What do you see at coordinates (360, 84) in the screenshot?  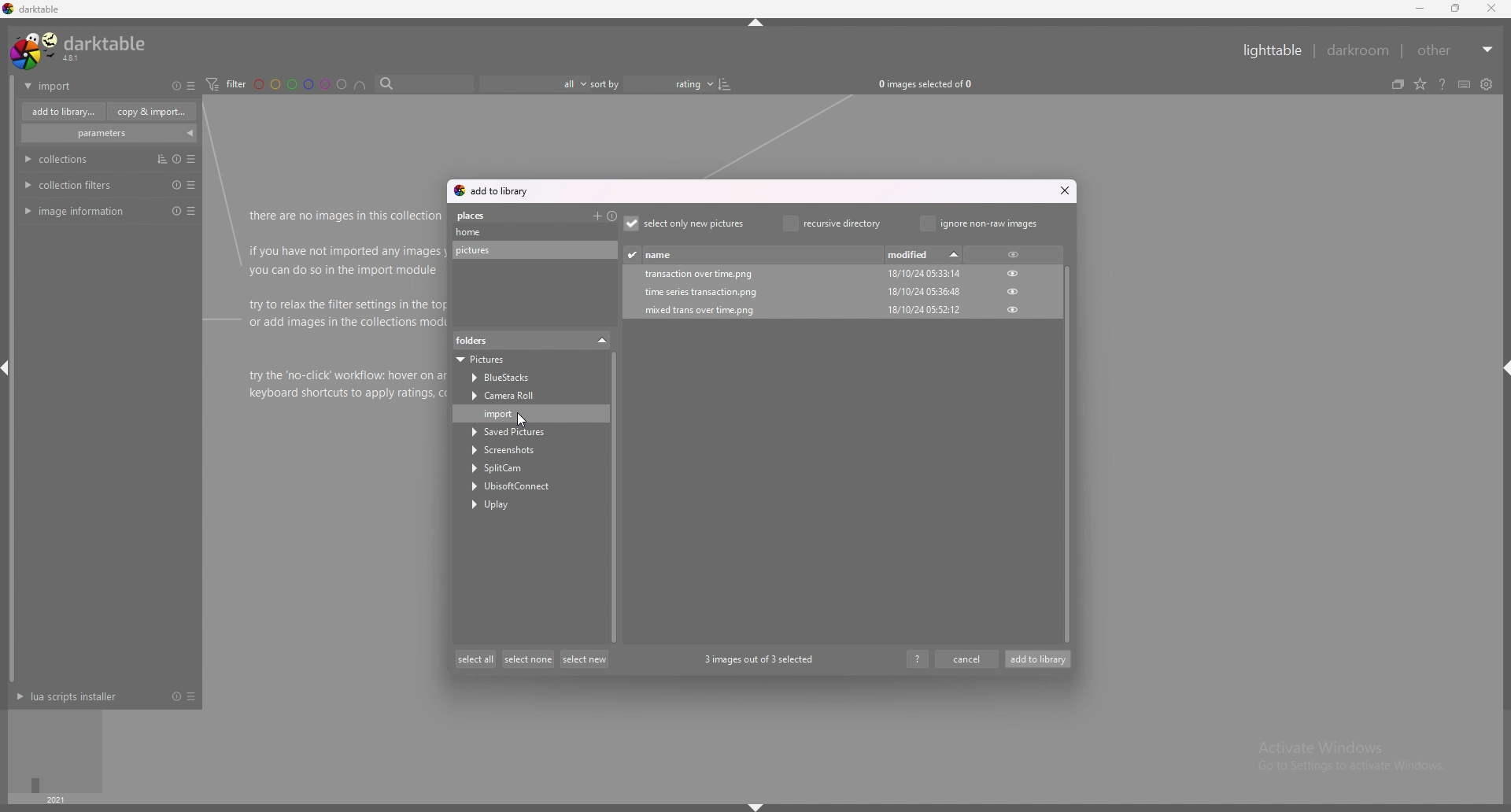 I see `include color label` at bounding box center [360, 84].